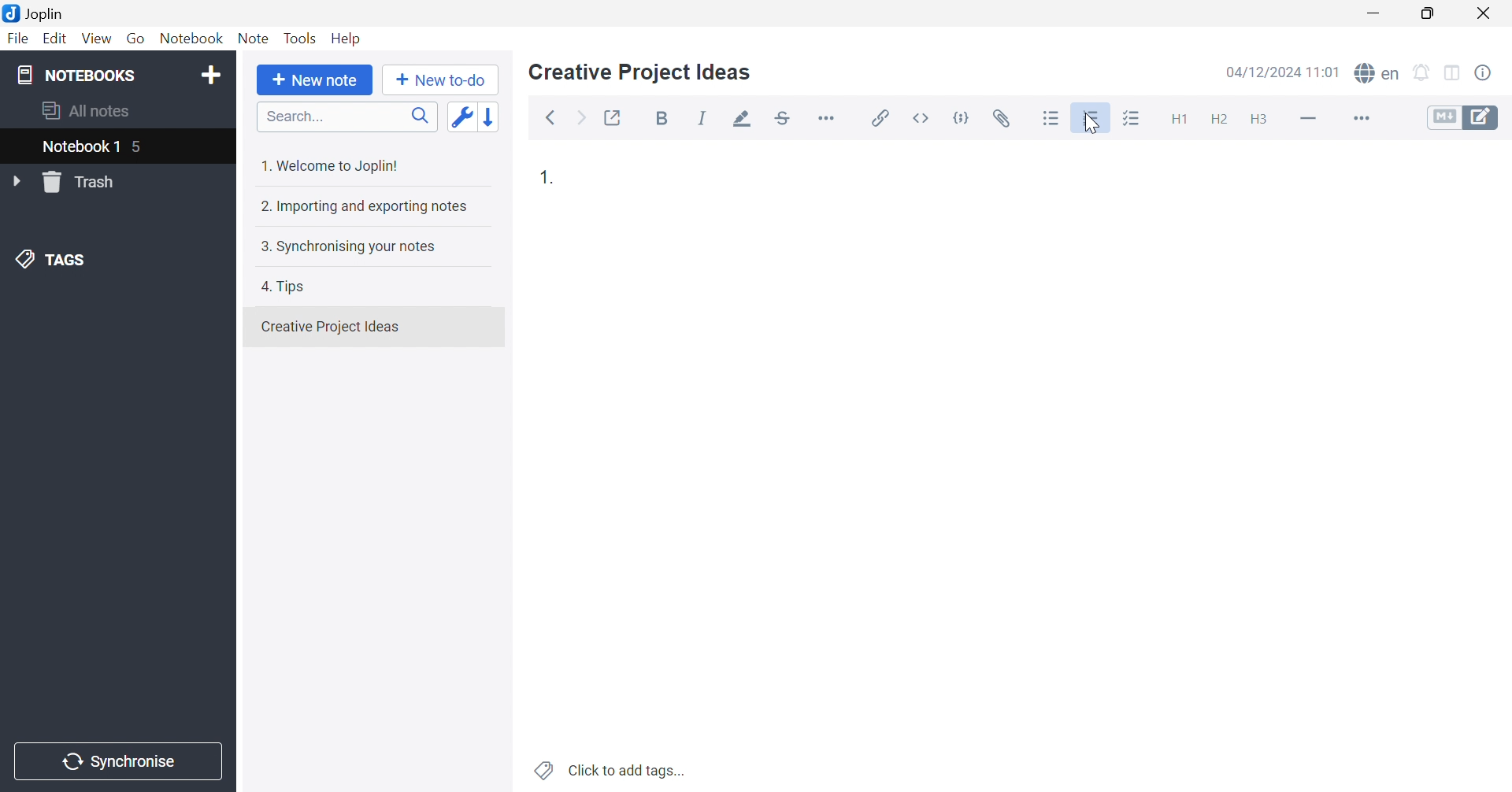 Image resolution: width=1512 pixels, height=792 pixels. I want to click on Drop Down, so click(20, 182).